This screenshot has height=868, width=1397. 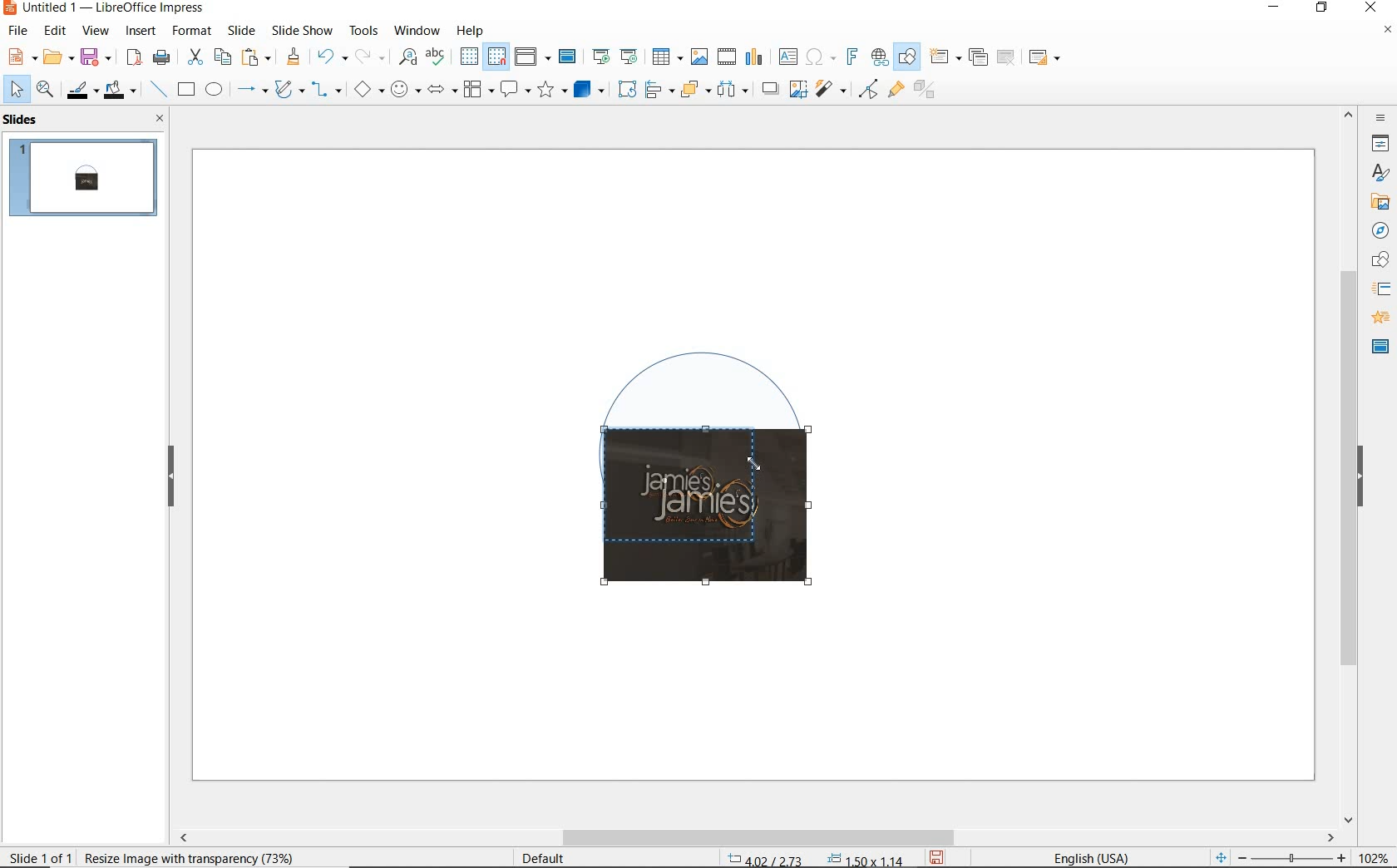 I want to click on styles, so click(x=1380, y=174).